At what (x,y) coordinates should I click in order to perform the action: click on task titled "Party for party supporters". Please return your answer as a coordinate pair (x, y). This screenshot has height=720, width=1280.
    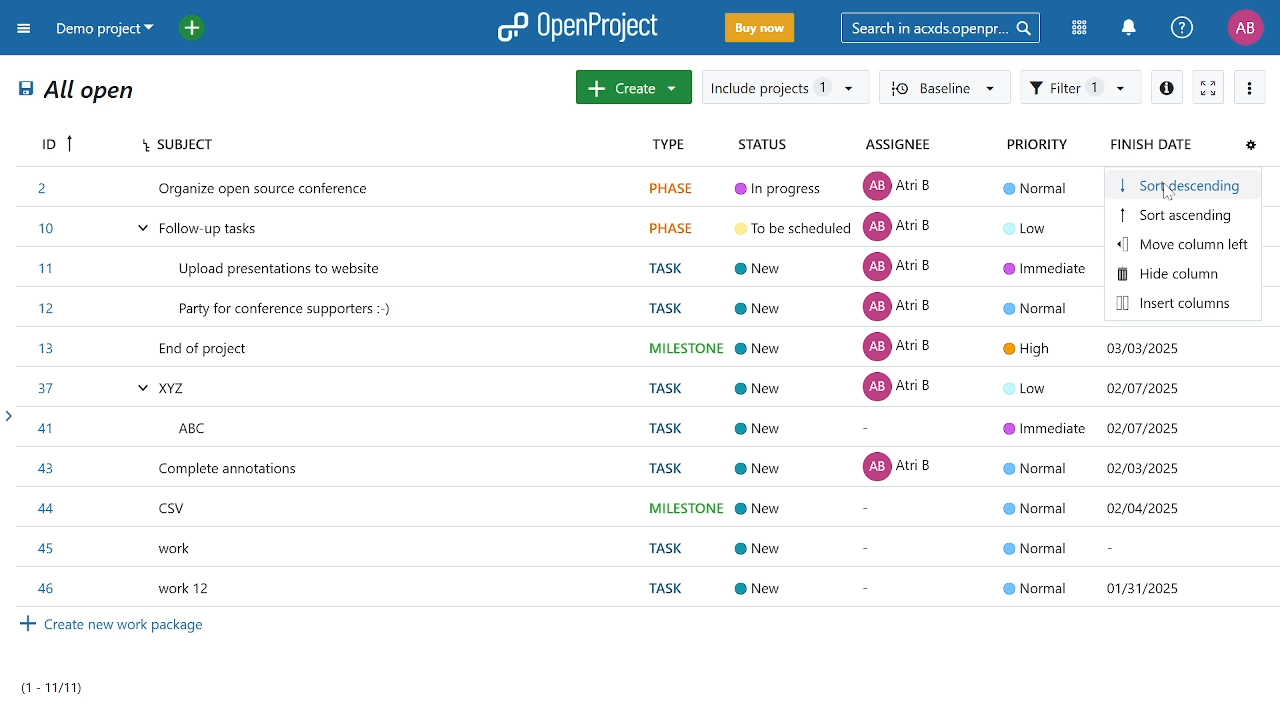
    Looking at the image, I should click on (567, 306).